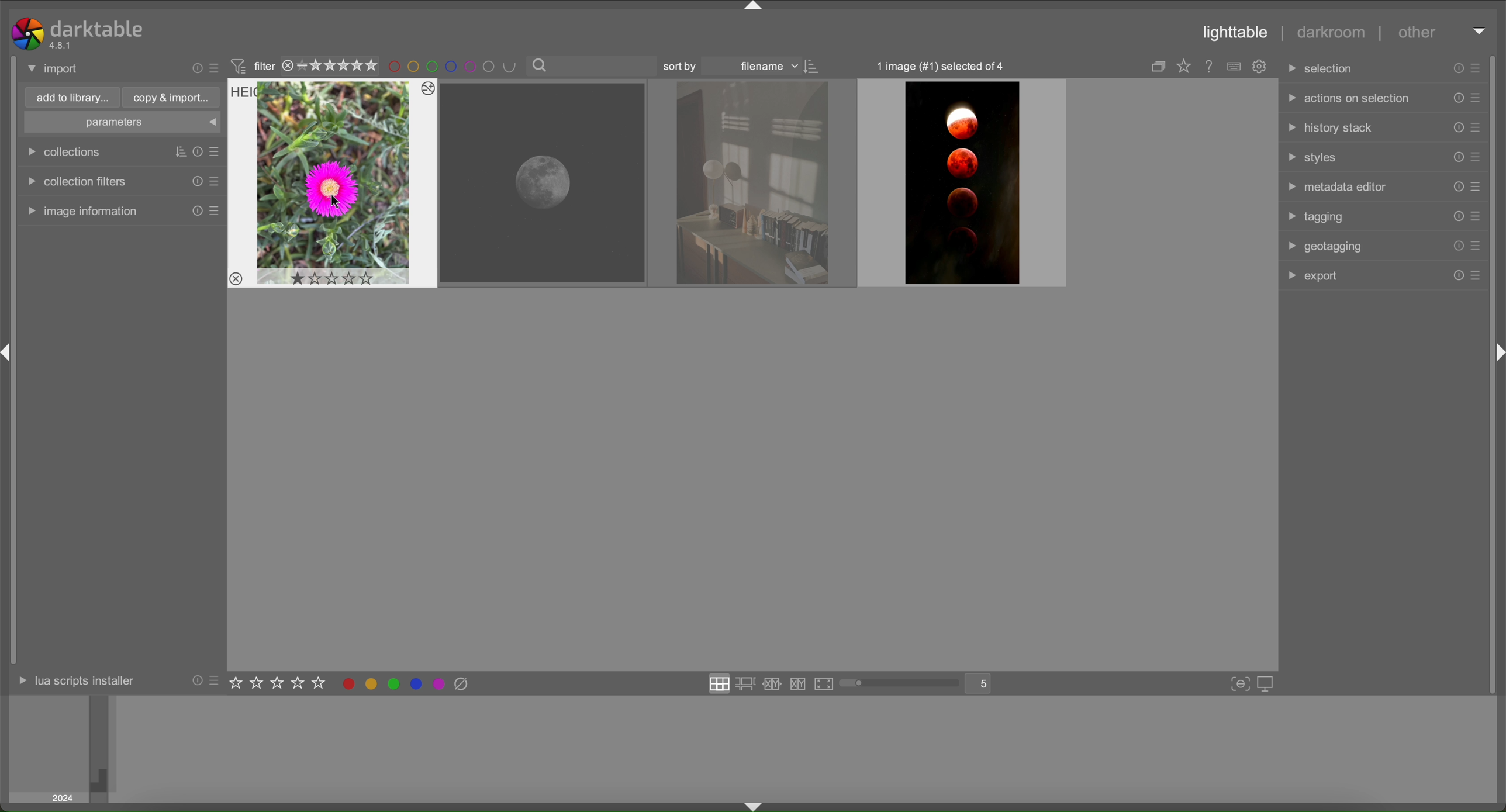 Image resolution: width=1506 pixels, height=812 pixels. I want to click on lua scripts installer tab, so click(75, 682).